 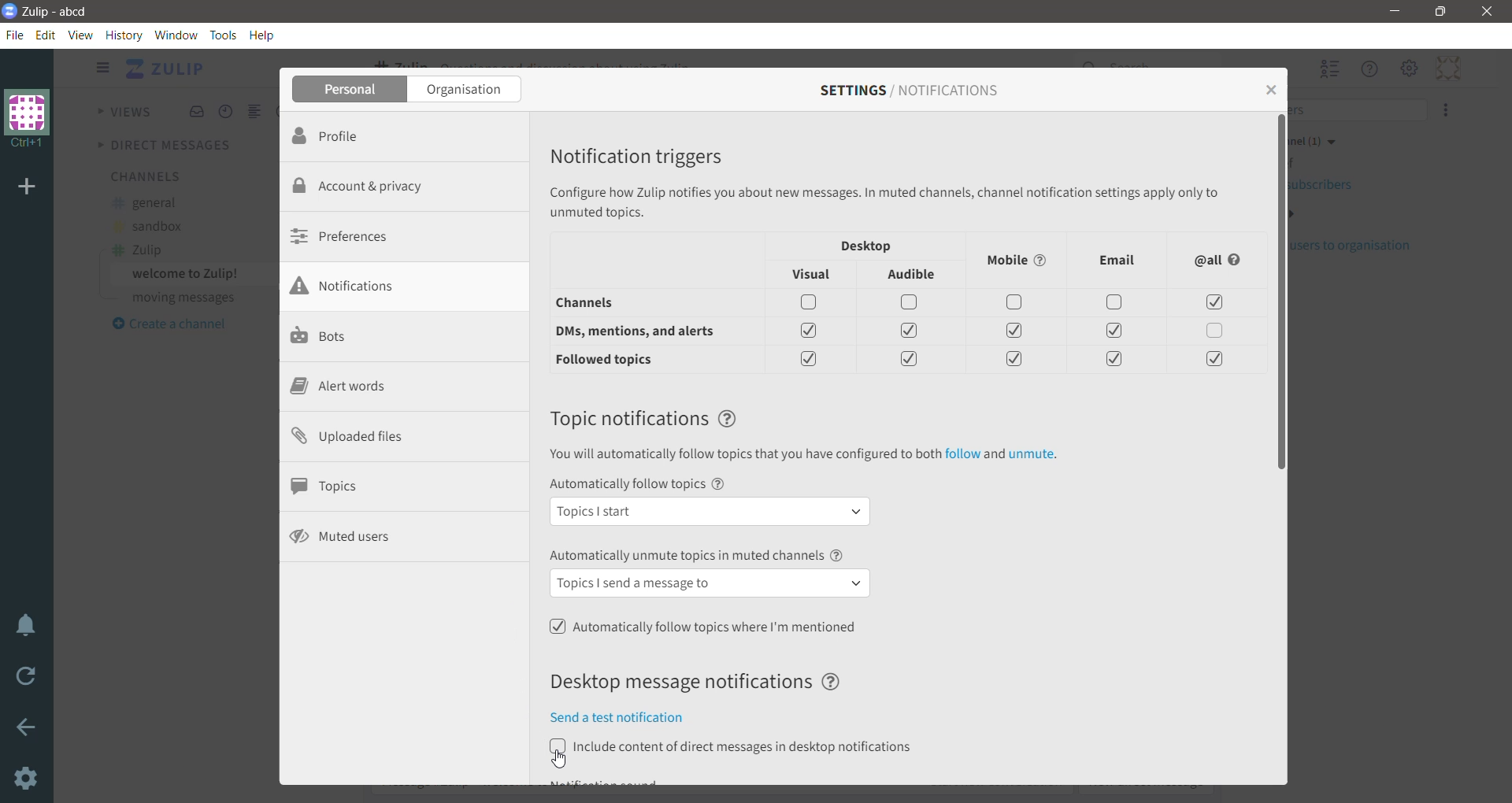 What do you see at coordinates (561, 764) in the screenshot?
I see `Pointer` at bounding box center [561, 764].